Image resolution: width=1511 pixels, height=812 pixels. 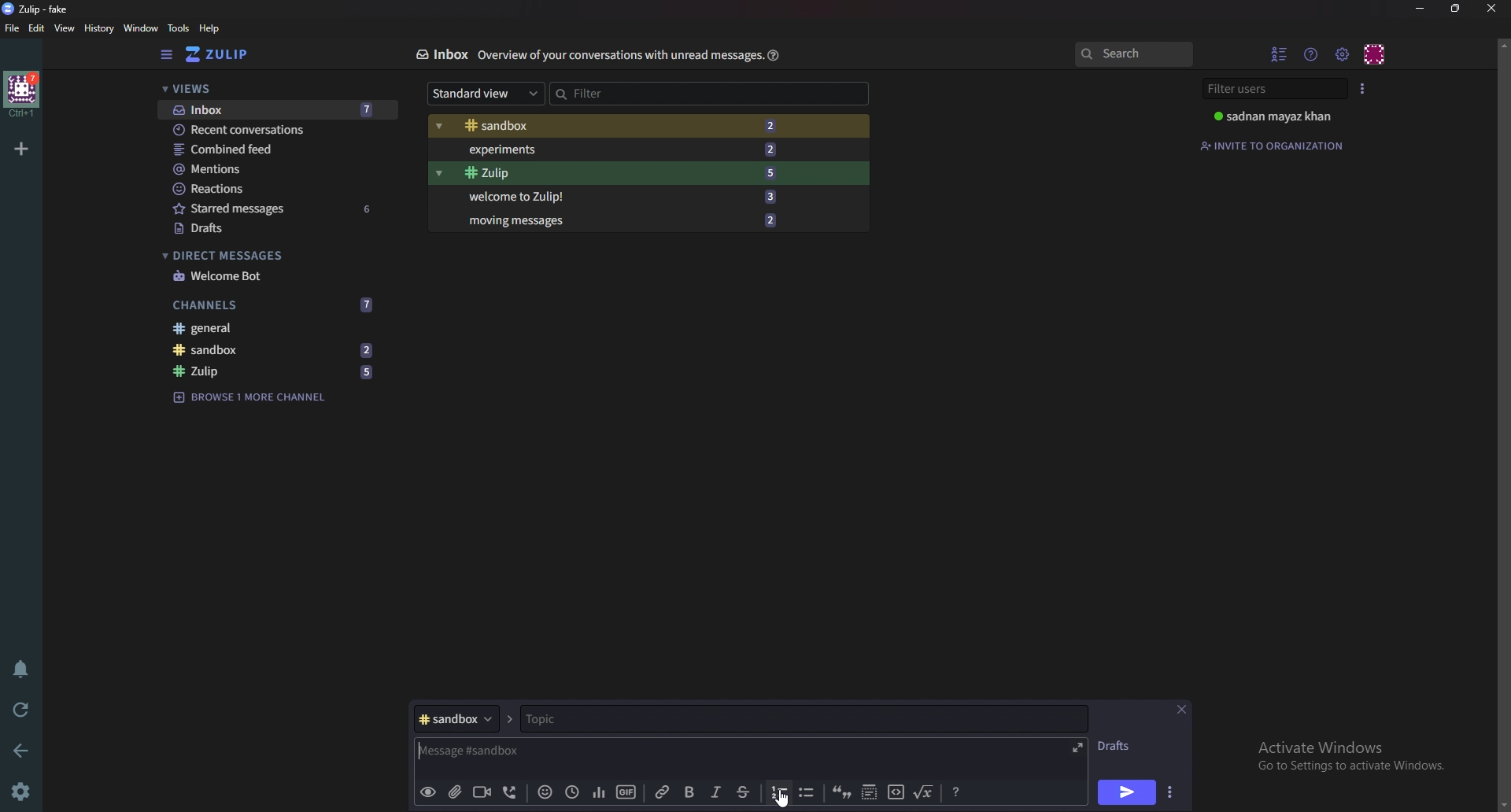 I want to click on Inbox, so click(x=441, y=54).